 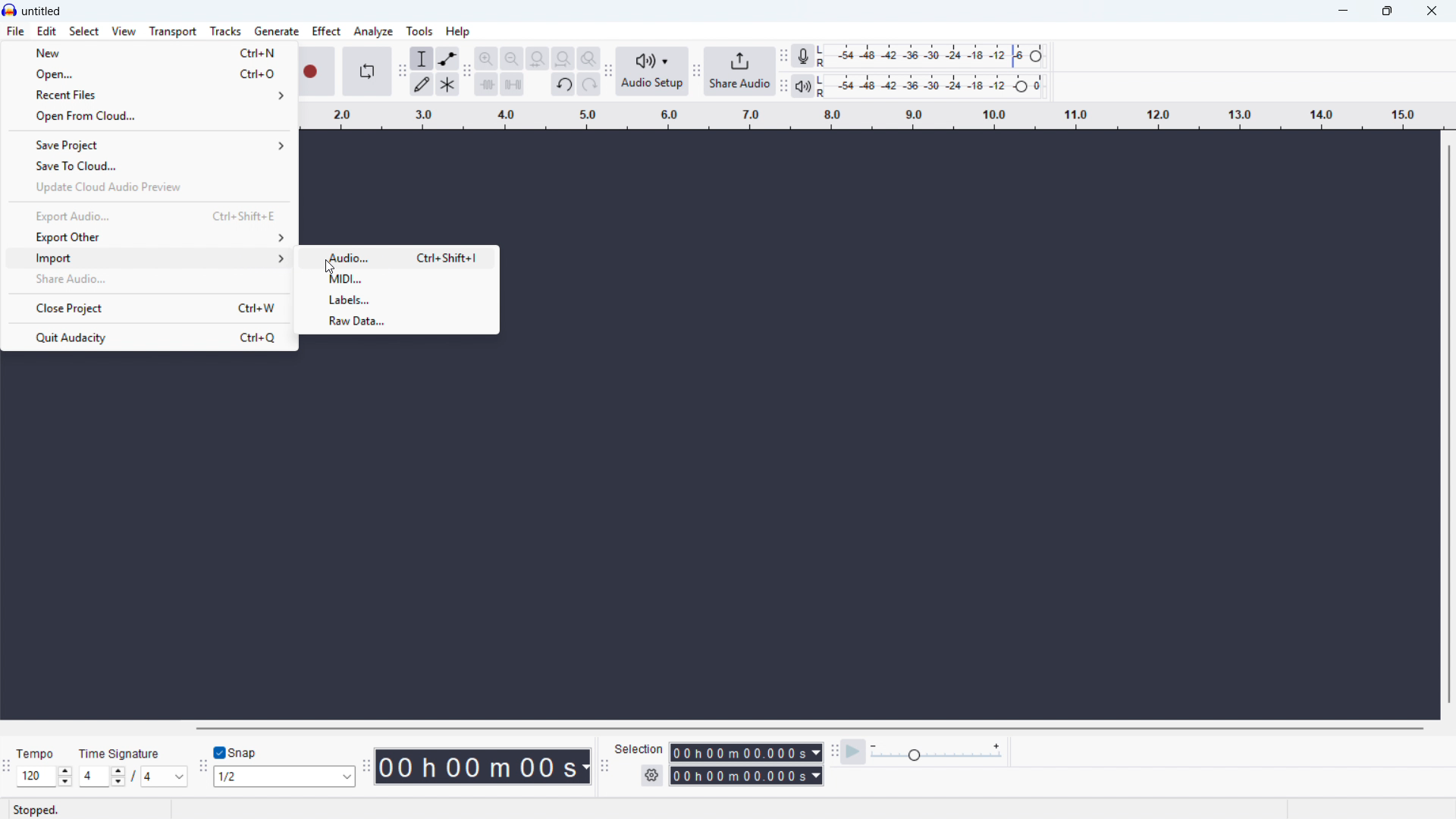 I want to click on Playback level , so click(x=934, y=86).